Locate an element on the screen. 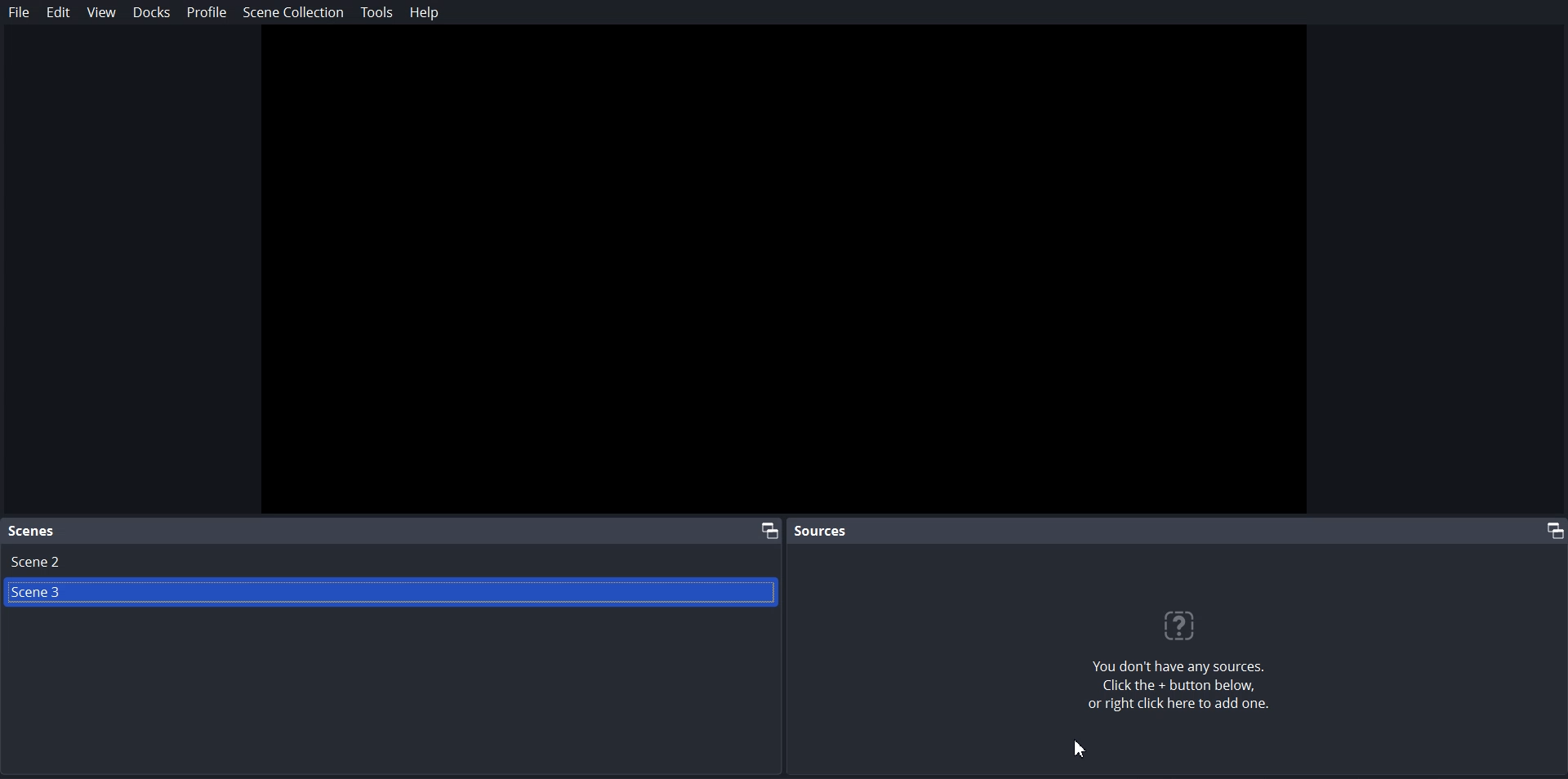  Scene is located at coordinates (33, 532).